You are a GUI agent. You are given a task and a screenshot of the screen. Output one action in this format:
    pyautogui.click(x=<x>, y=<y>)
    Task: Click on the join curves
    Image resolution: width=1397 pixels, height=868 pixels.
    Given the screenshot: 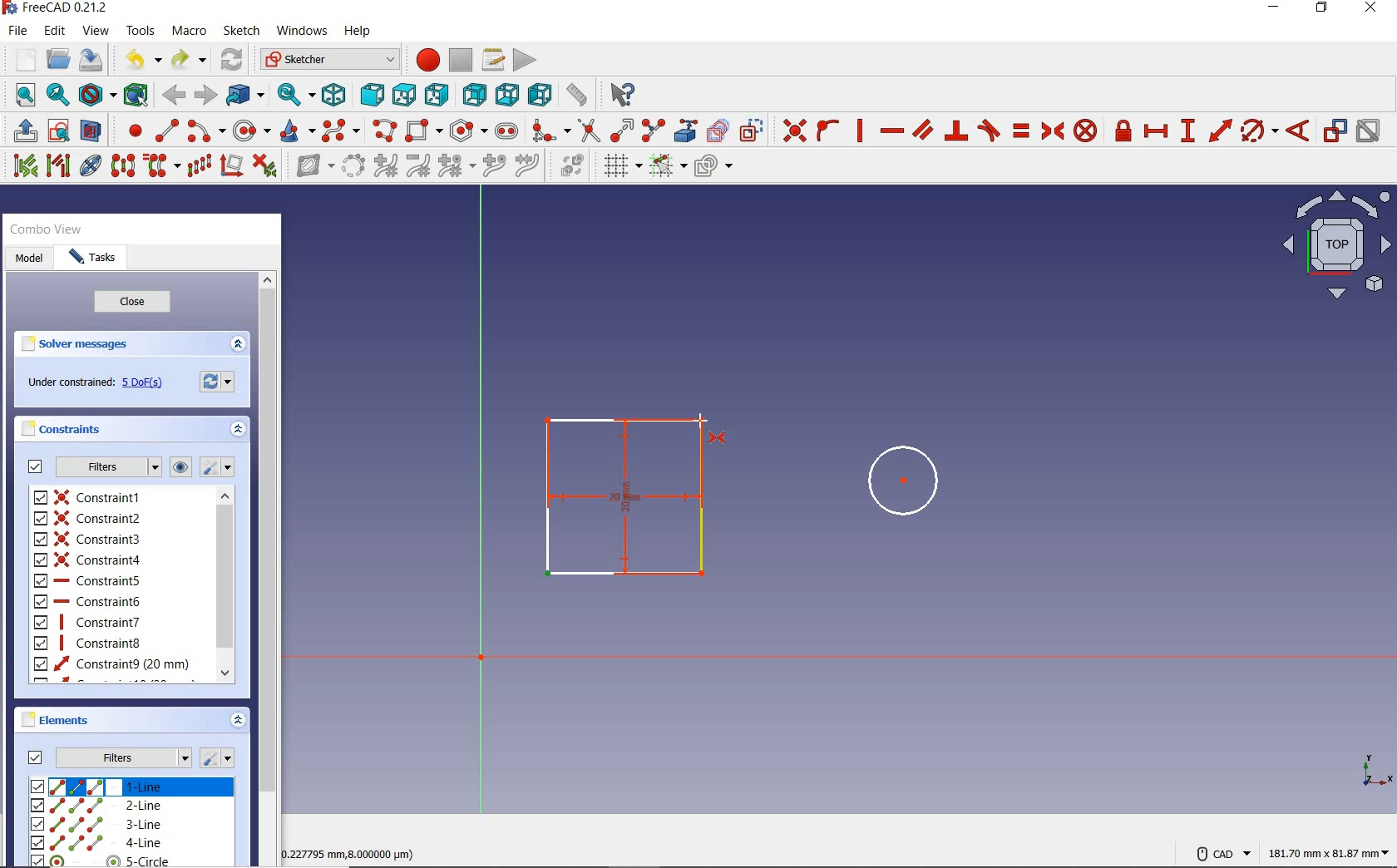 What is the action you would take?
    pyautogui.click(x=528, y=165)
    